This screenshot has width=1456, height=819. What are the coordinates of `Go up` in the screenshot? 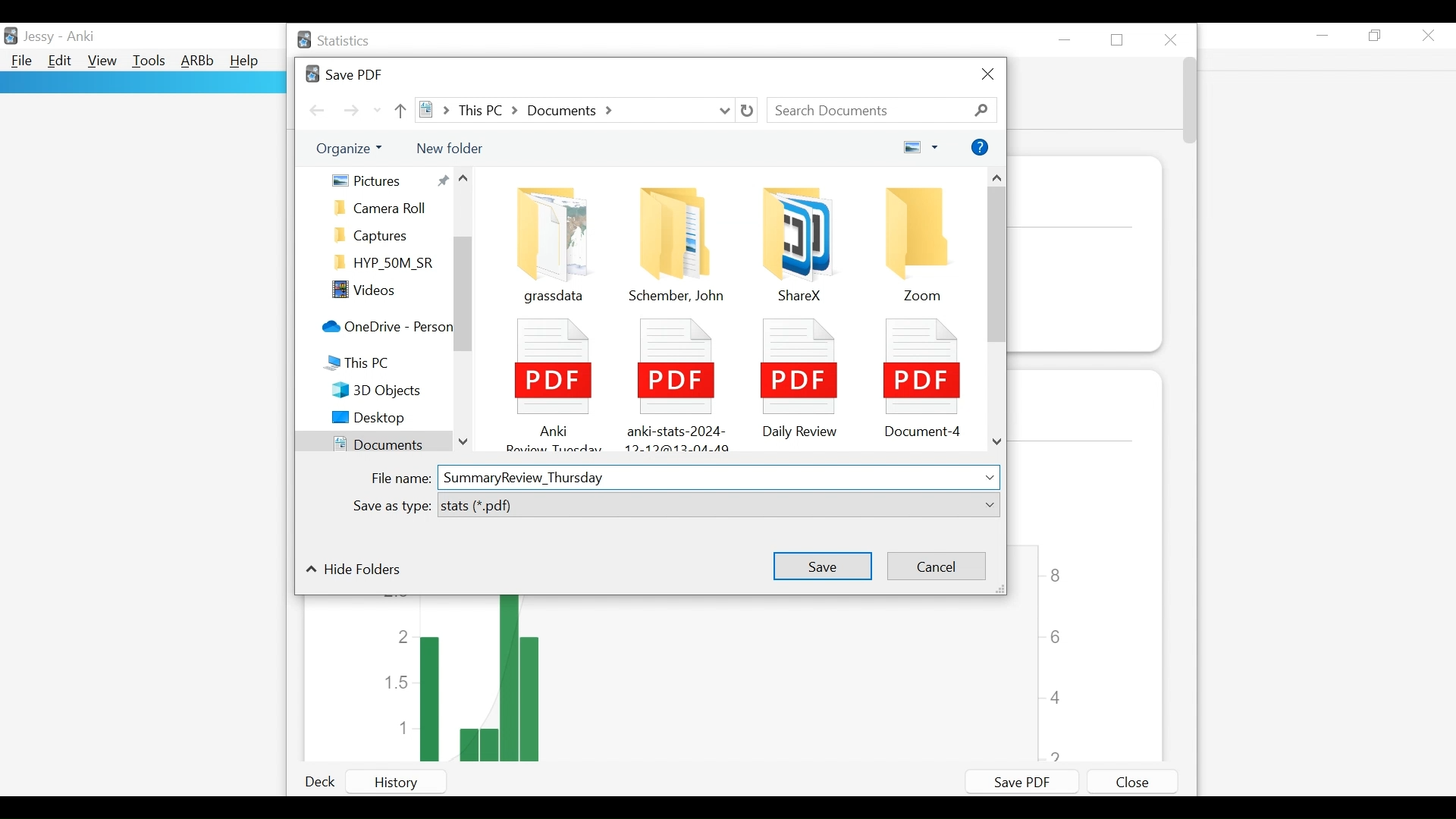 It's located at (402, 110).